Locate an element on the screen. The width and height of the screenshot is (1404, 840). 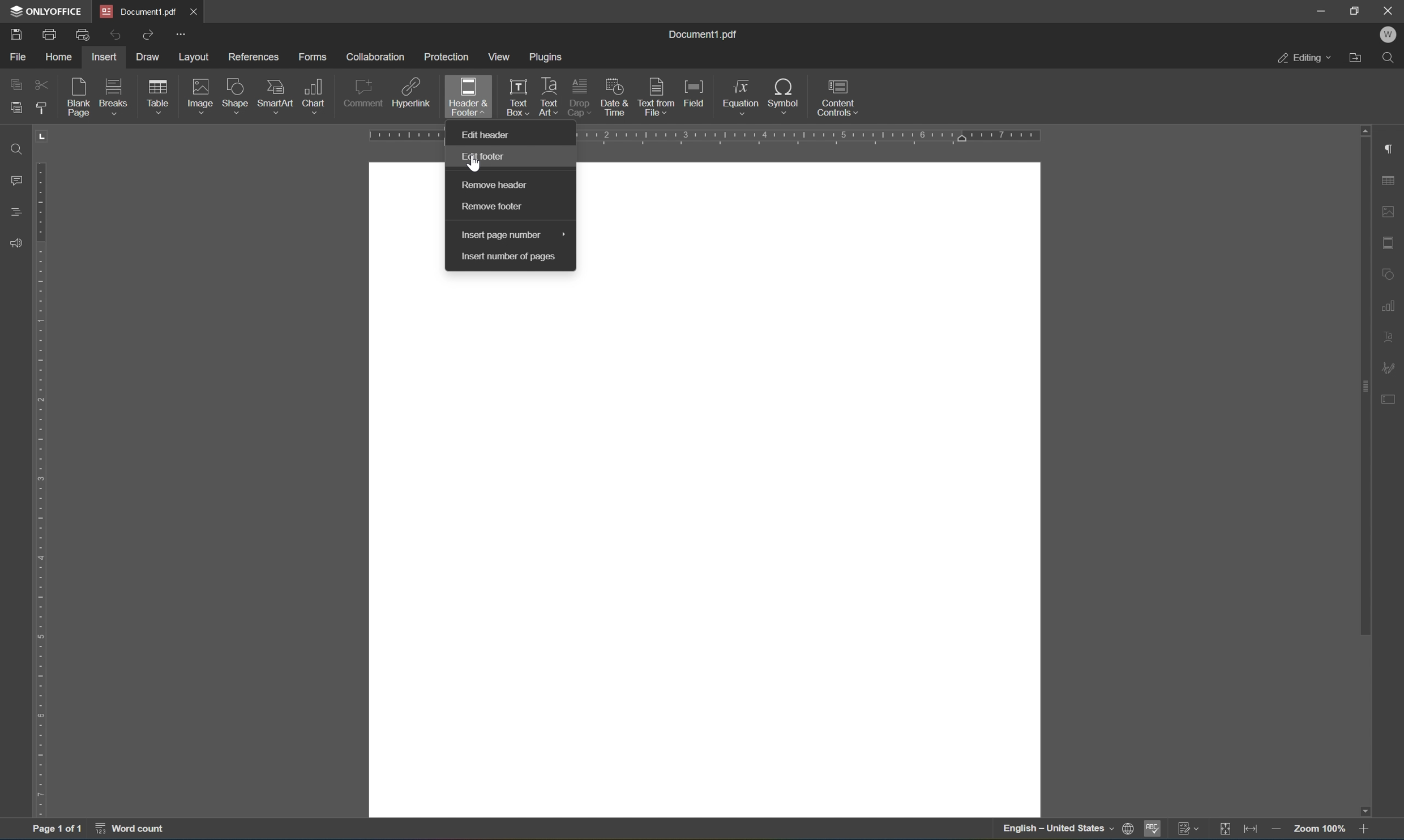
zoom in is located at coordinates (1367, 830).